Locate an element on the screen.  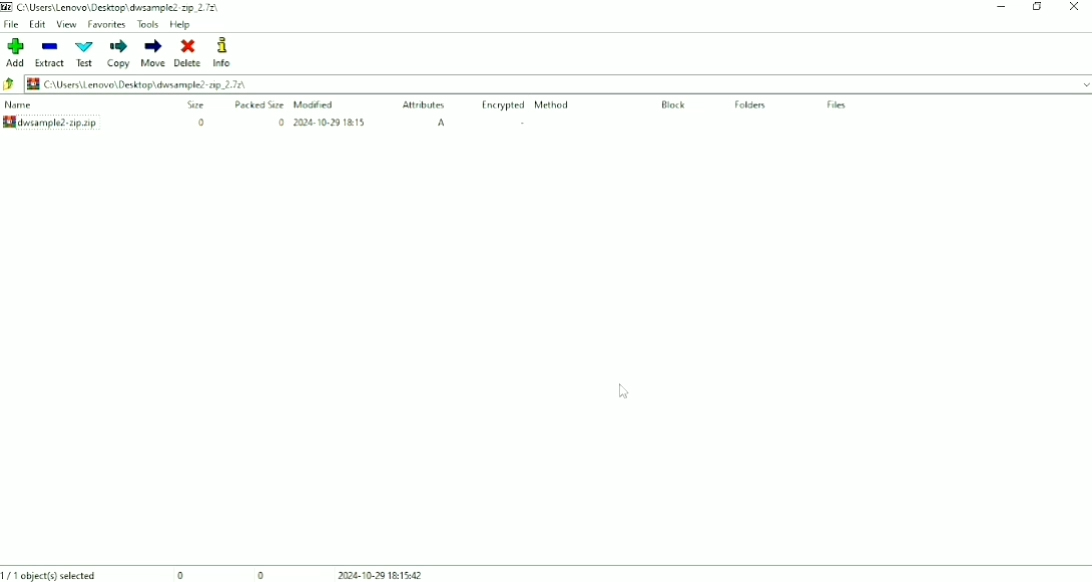
2024-10-29 18:15:42 is located at coordinates (389, 575).